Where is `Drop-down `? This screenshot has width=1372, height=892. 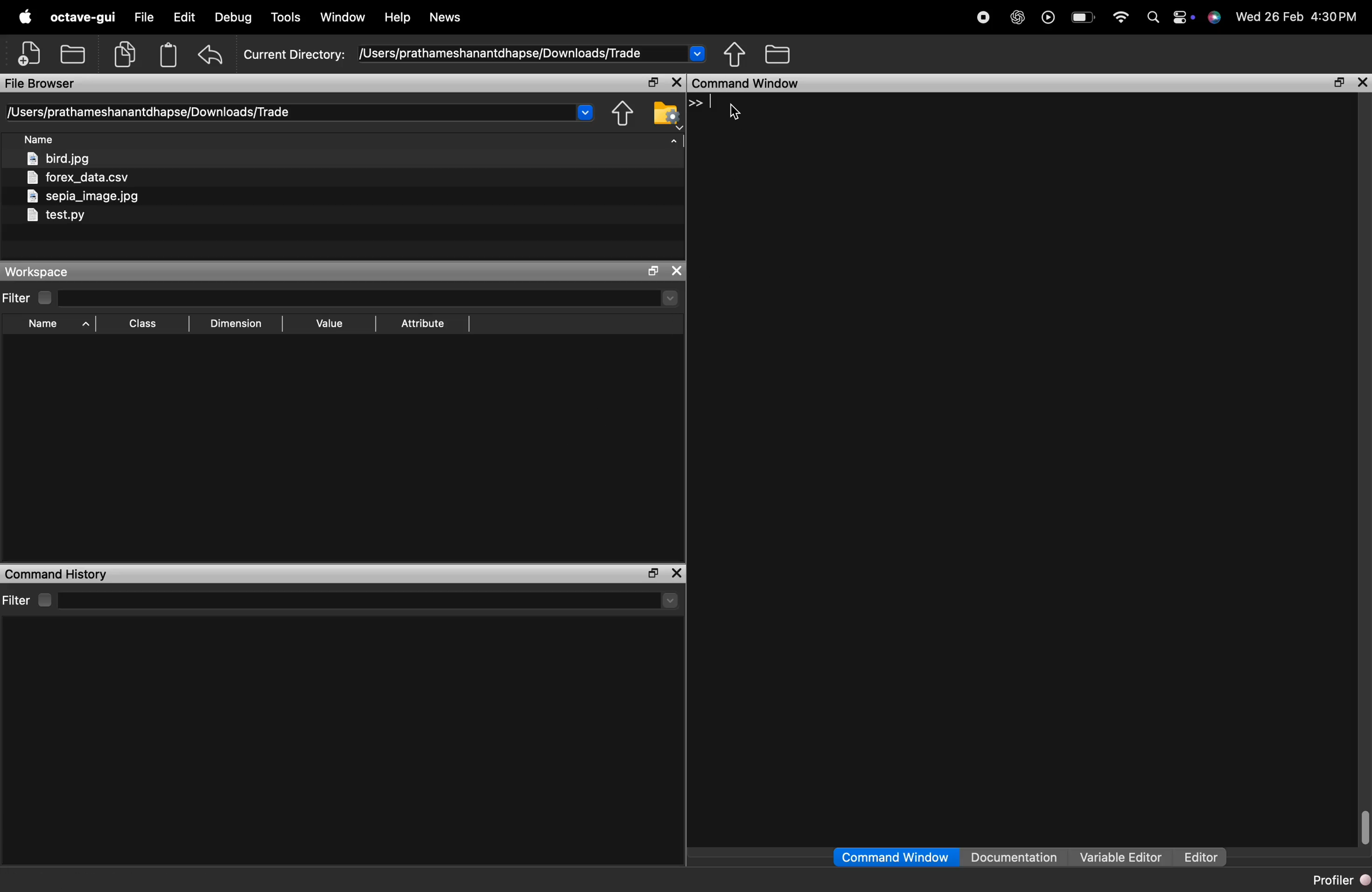
Drop-down  is located at coordinates (670, 600).